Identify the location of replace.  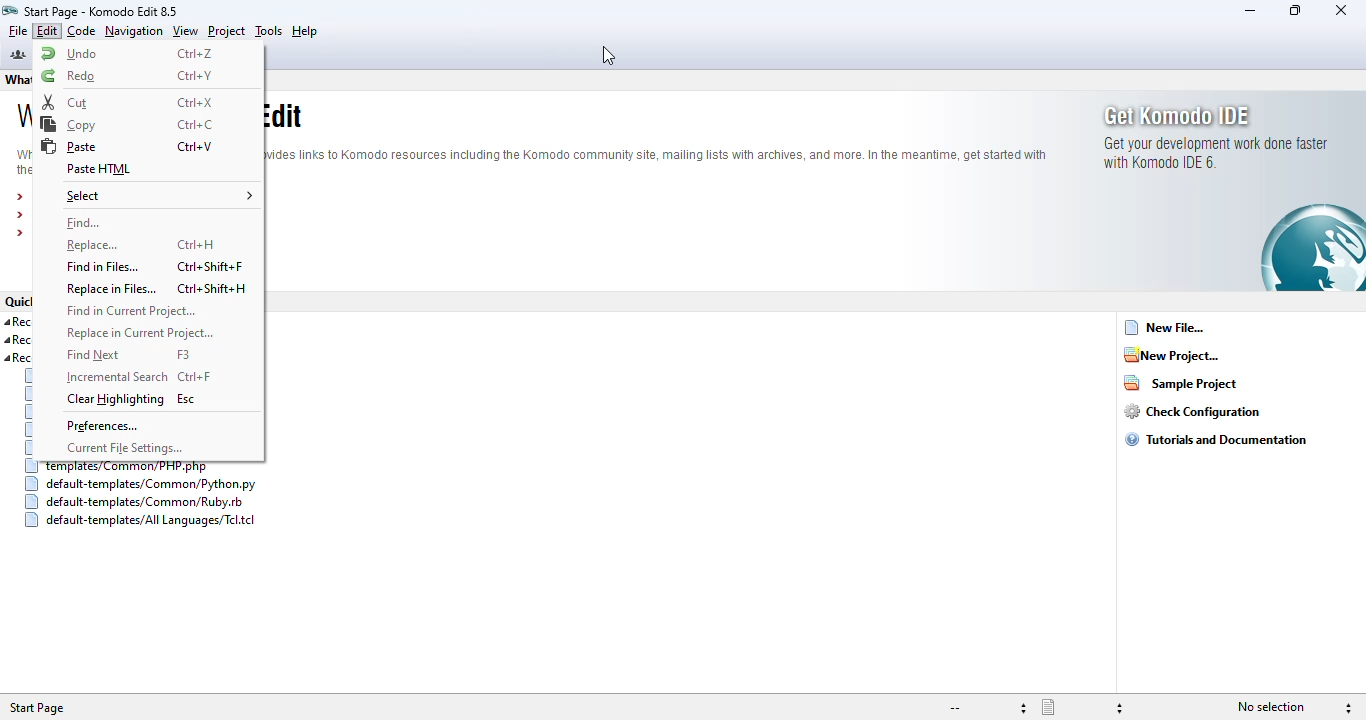
(91, 245).